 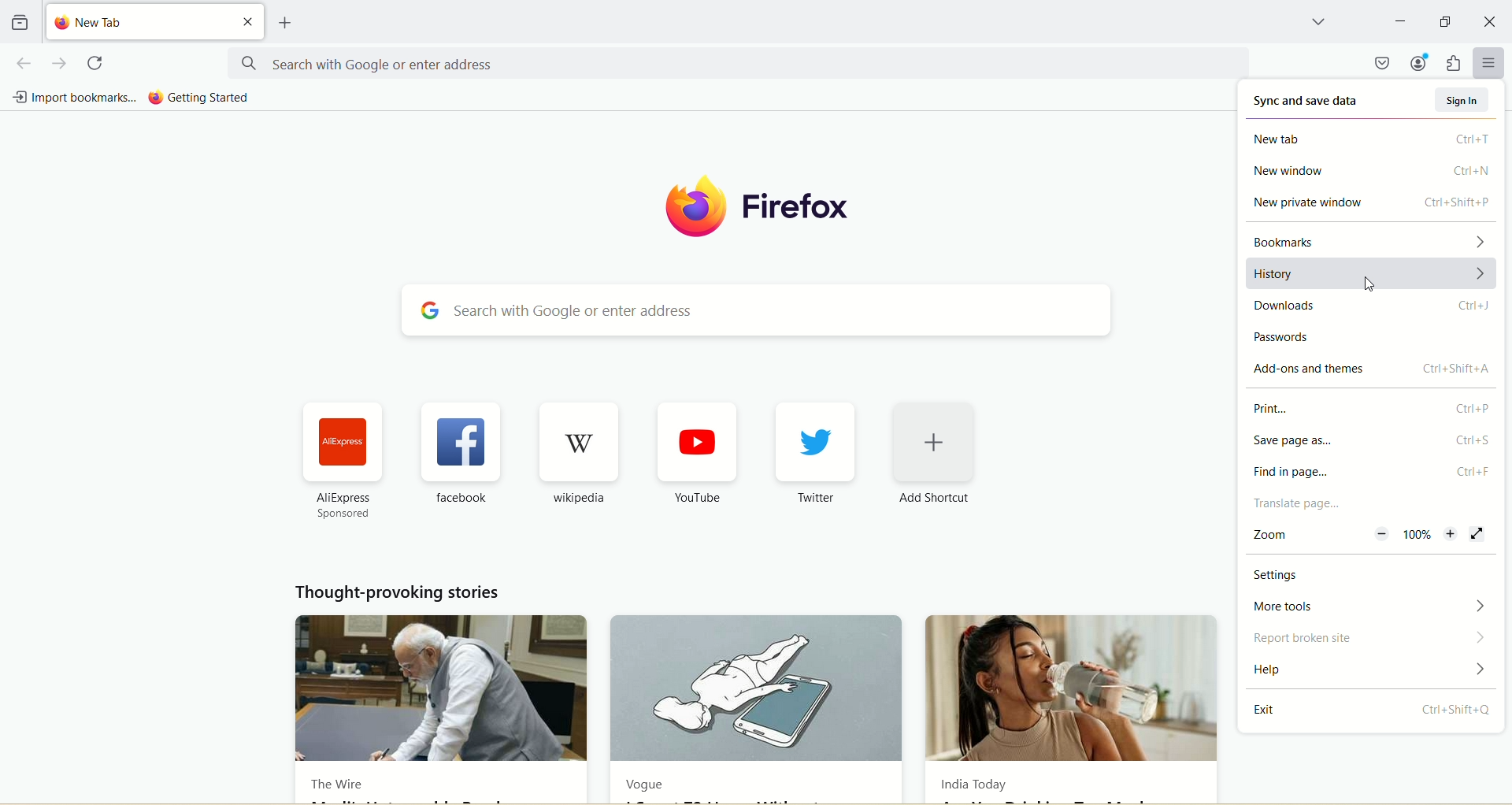 I want to click on new window, so click(x=1369, y=172).